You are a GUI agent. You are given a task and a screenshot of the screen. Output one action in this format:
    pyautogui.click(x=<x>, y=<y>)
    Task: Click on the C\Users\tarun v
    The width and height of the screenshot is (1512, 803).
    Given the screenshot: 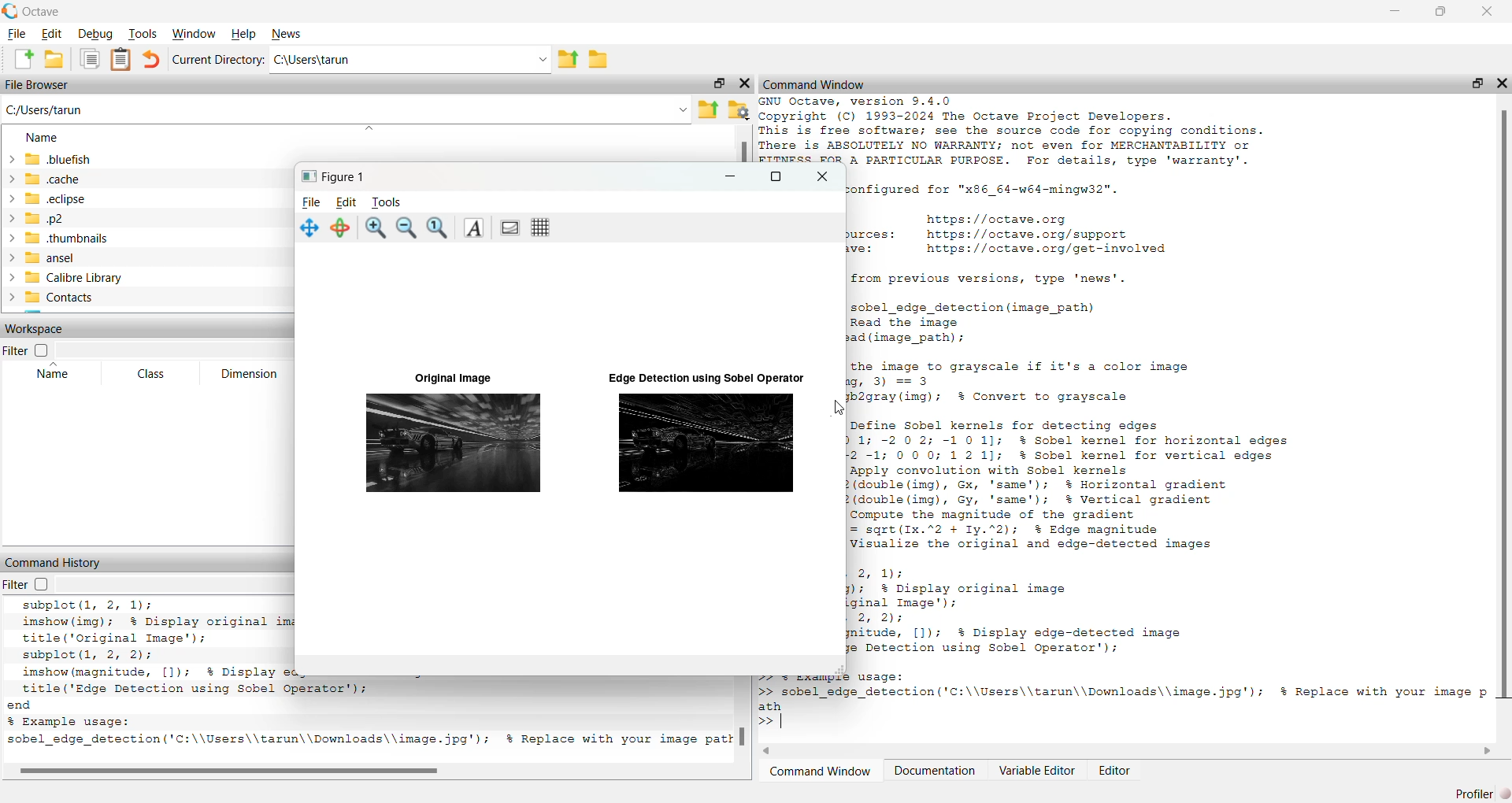 What is the action you would take?
    pyautogui.click(x=409, y=60)
    